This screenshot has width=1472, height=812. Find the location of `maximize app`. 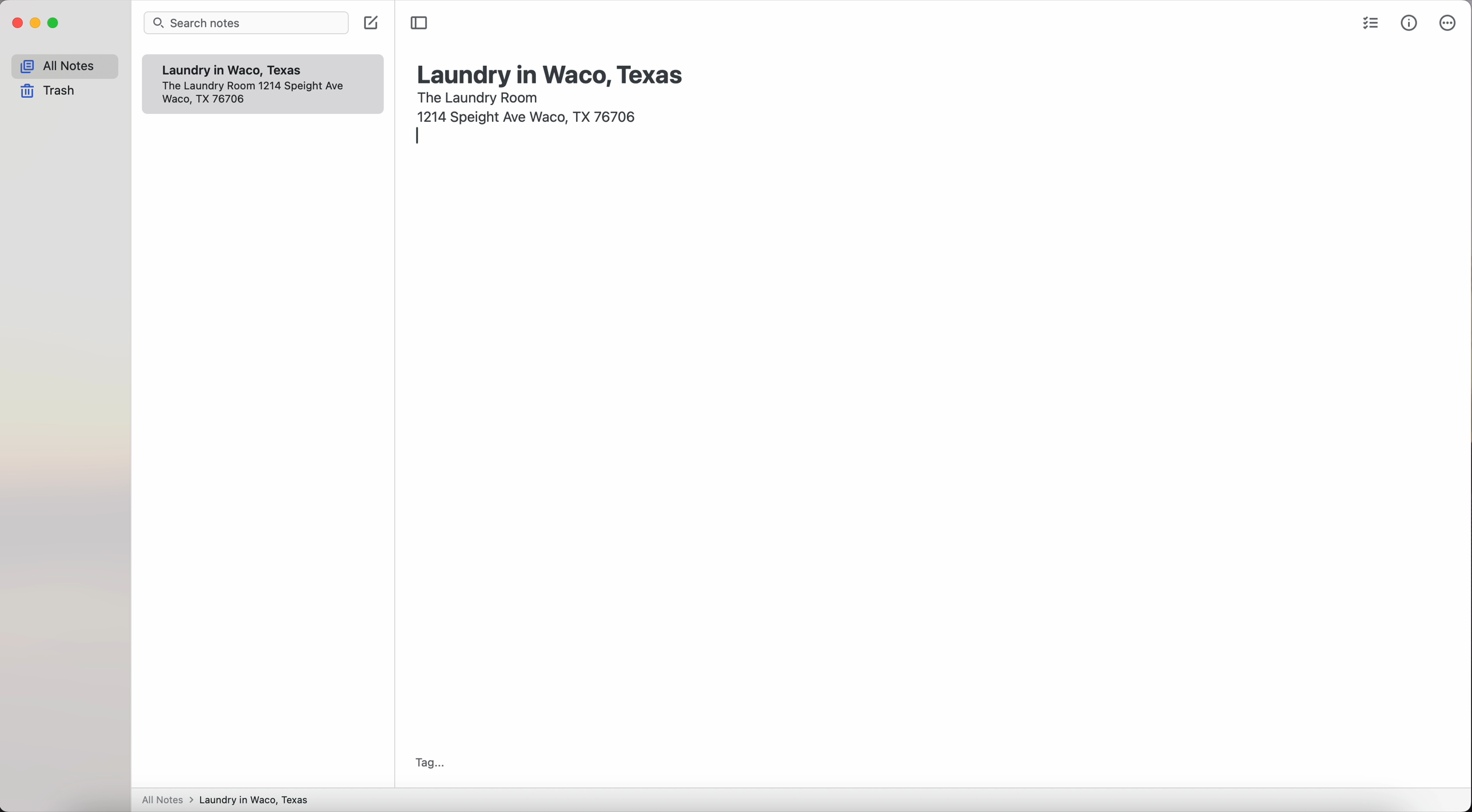

maximize app is located at coordinates (54, 23).